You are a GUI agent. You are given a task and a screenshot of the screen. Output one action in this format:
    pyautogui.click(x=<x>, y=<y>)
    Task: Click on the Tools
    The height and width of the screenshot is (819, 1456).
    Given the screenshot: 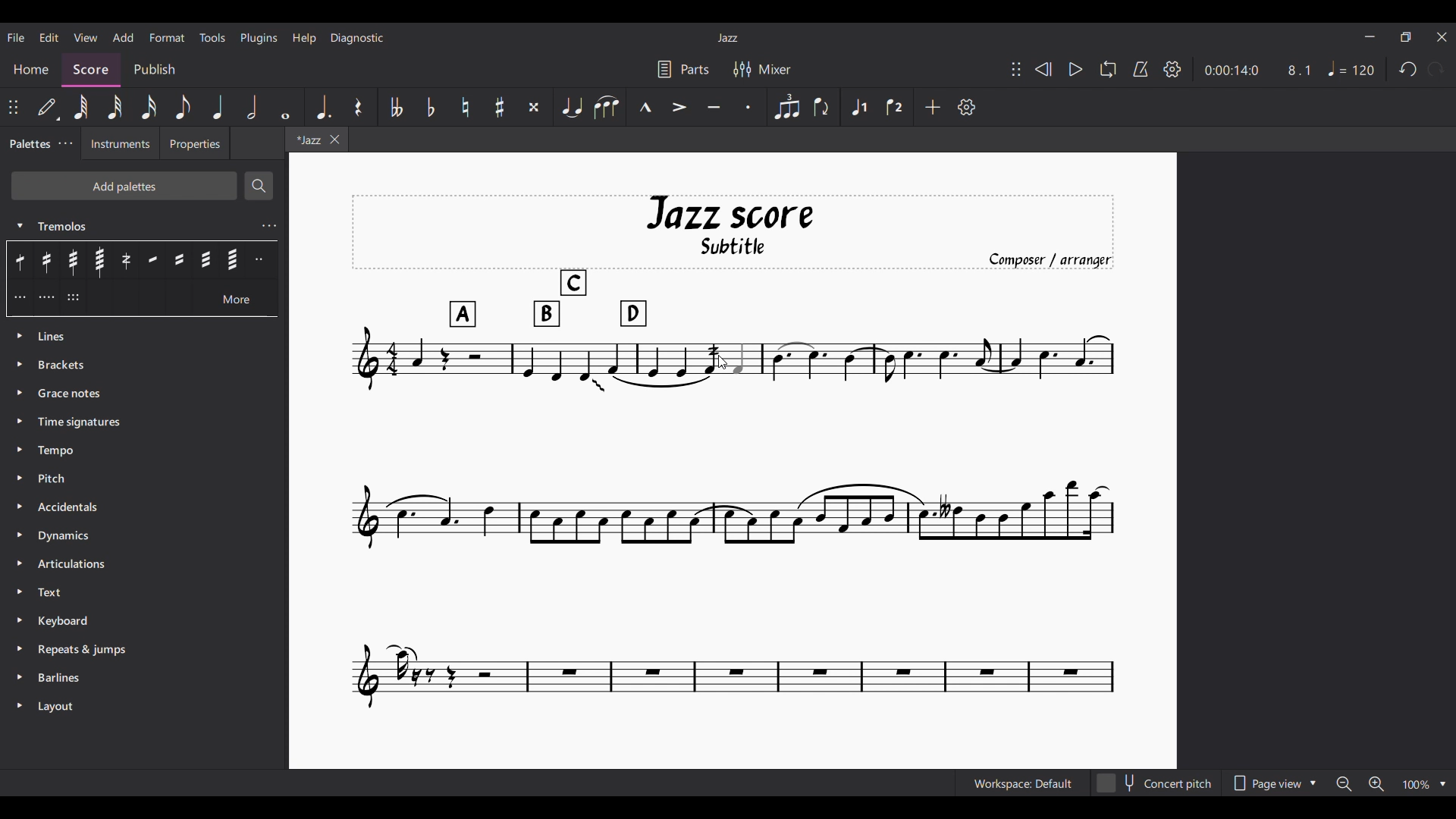 What is the action you would take?
    pyautogui.click(x=212, y=37)
    